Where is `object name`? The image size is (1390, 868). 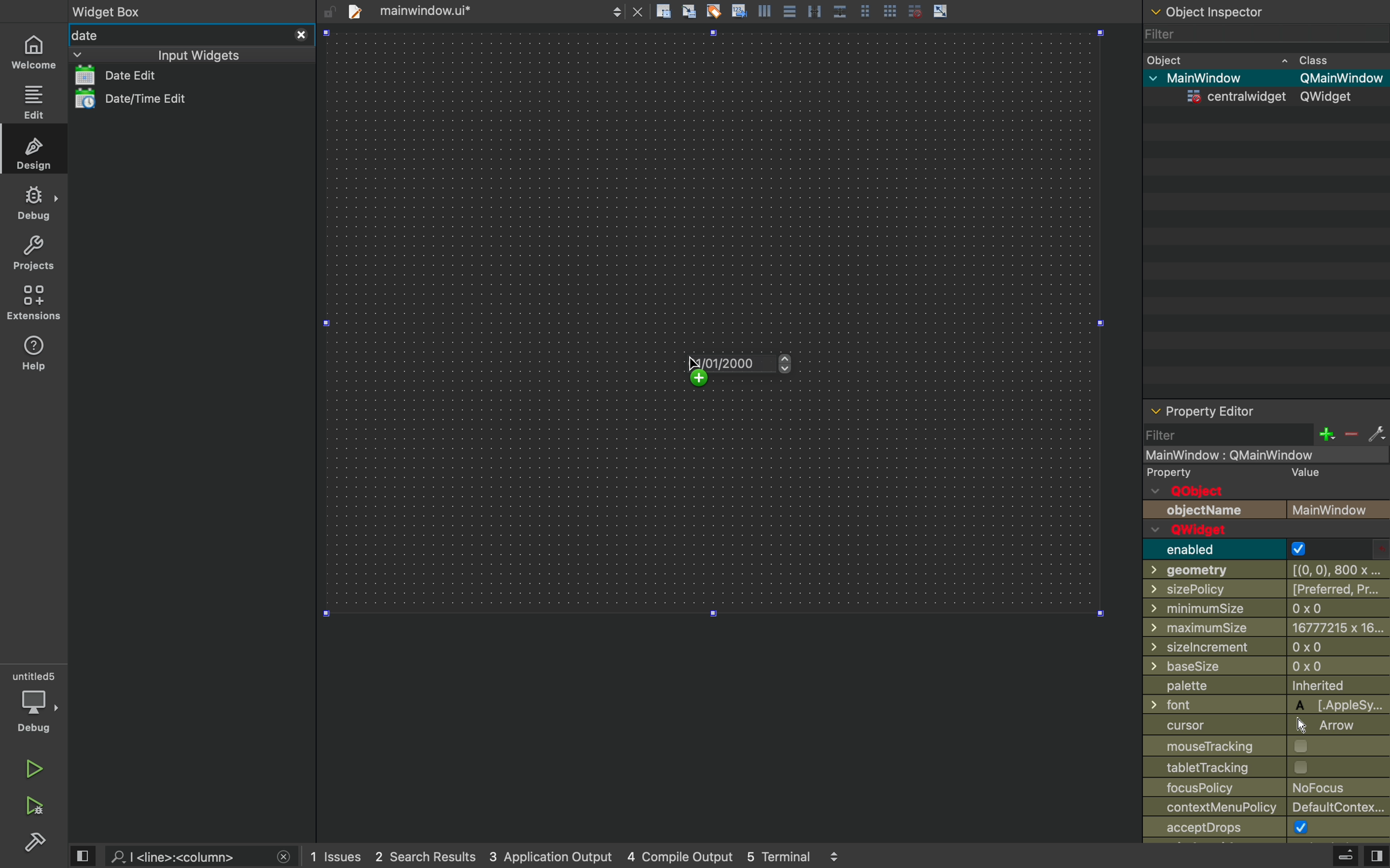
object name is located at coordinates (1266, 511).